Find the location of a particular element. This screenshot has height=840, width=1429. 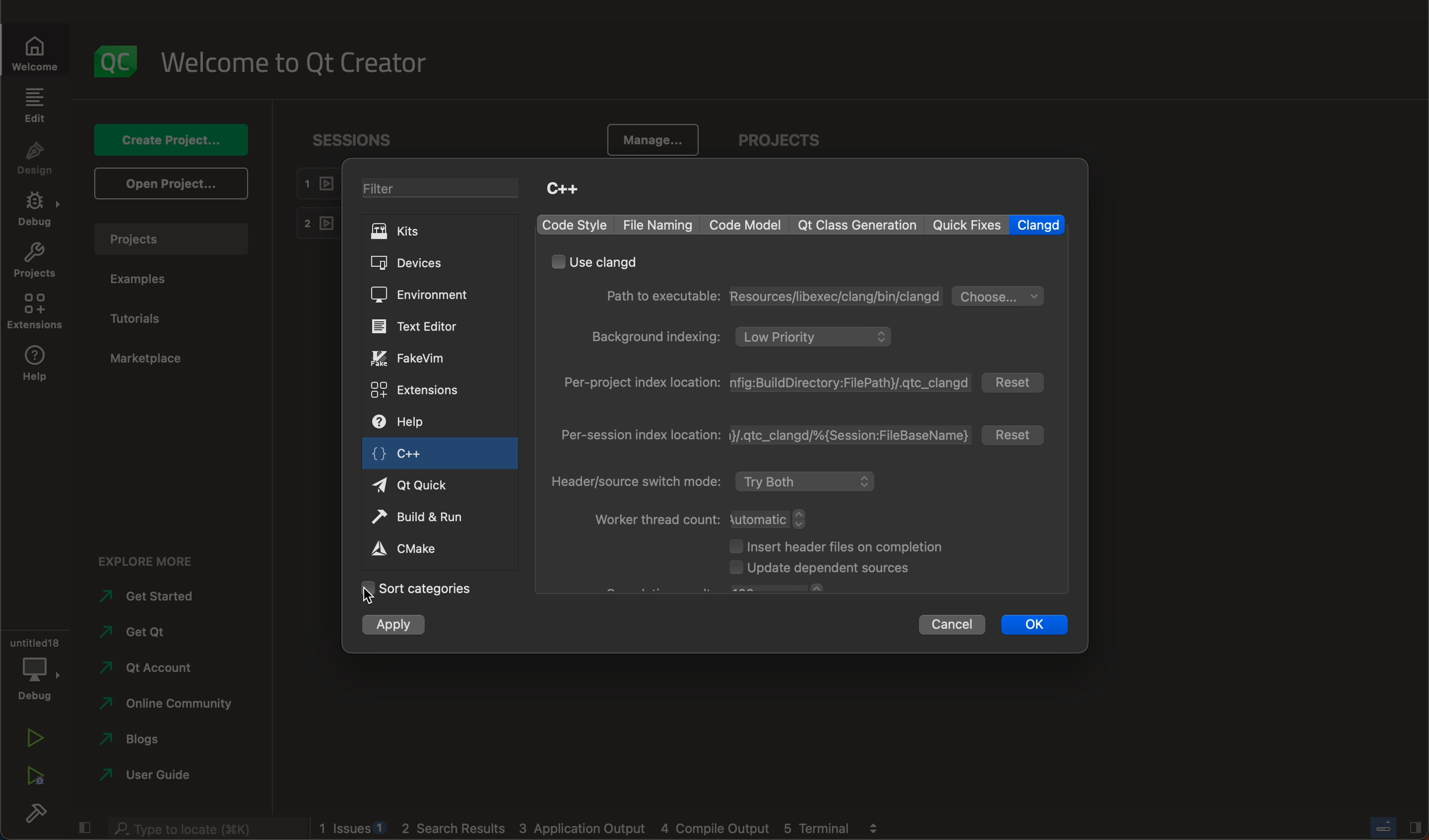

projects is located at coordinates (171, 239).